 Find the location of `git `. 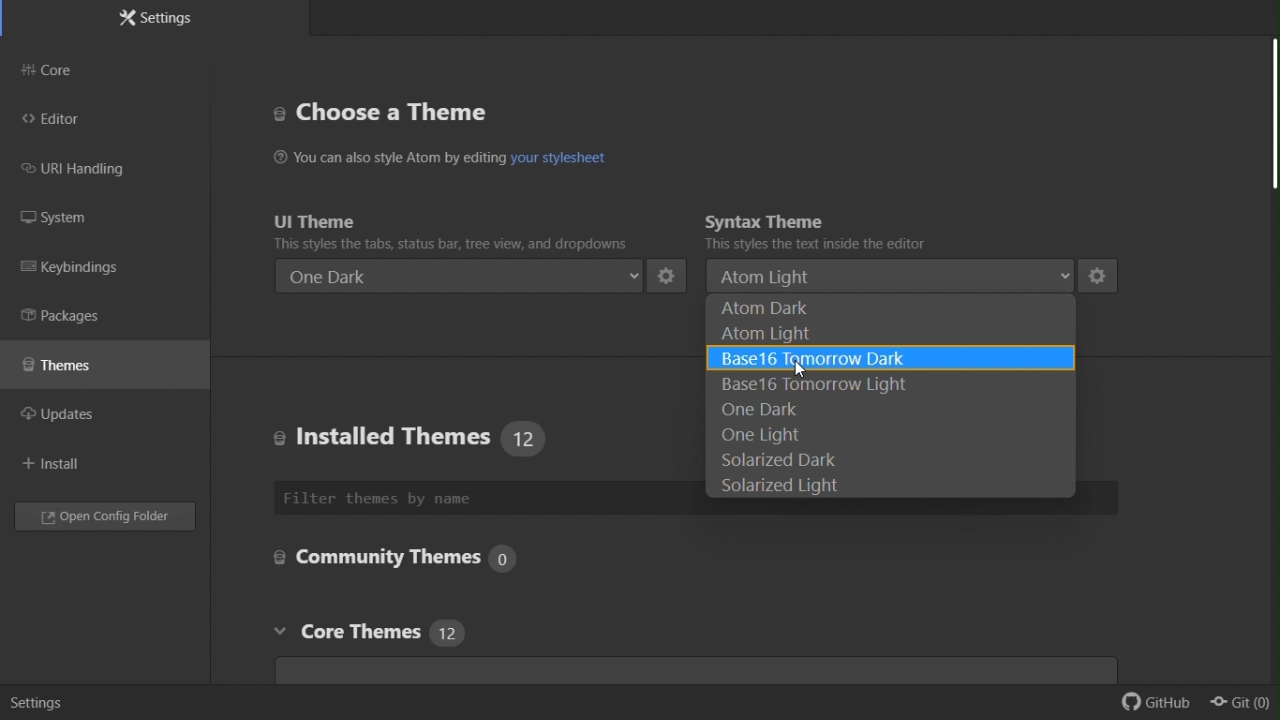

git  is located at coordinates (1246, 702).